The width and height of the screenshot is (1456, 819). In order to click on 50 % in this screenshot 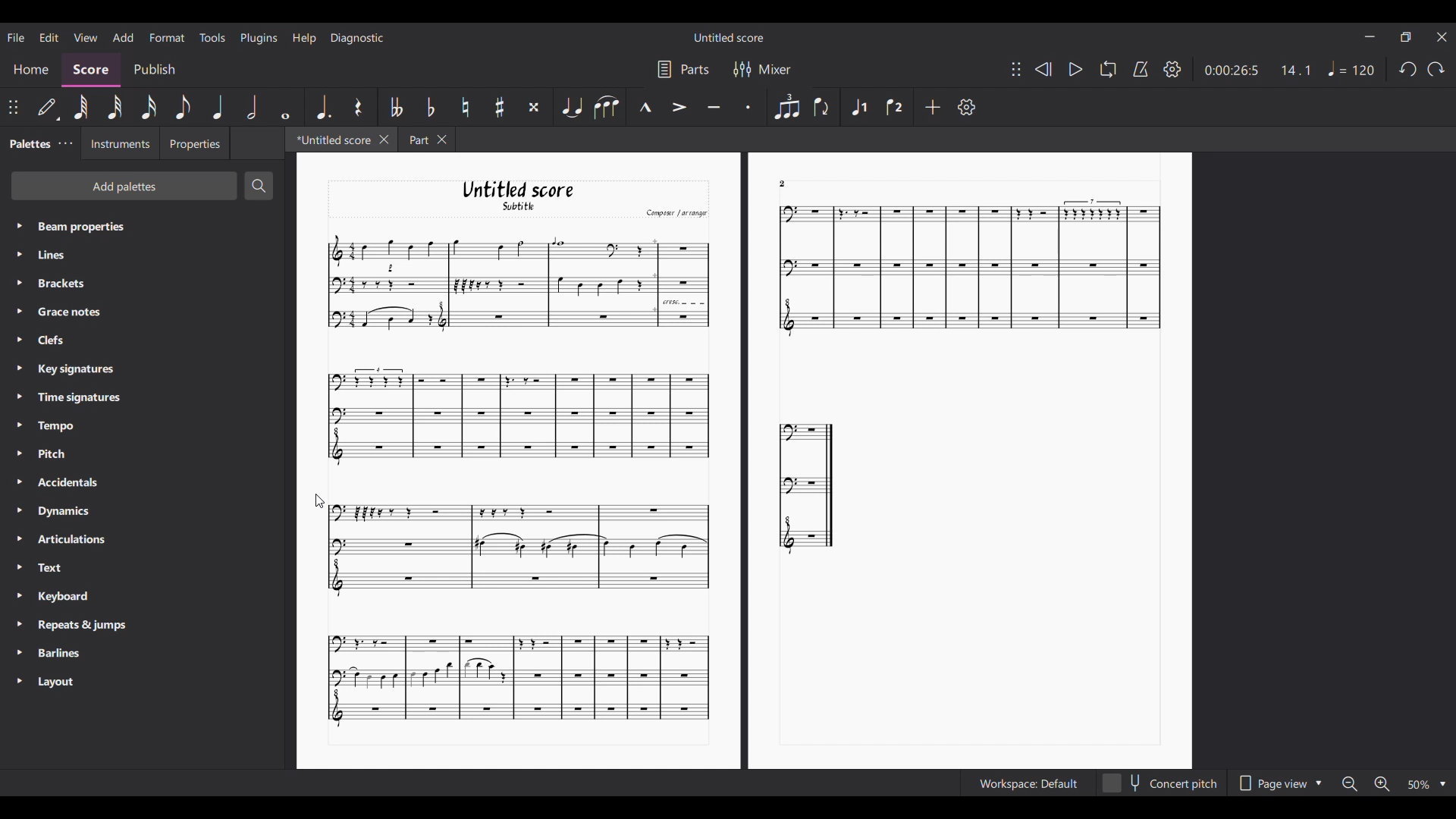, I will do `click(1426, 784)`.